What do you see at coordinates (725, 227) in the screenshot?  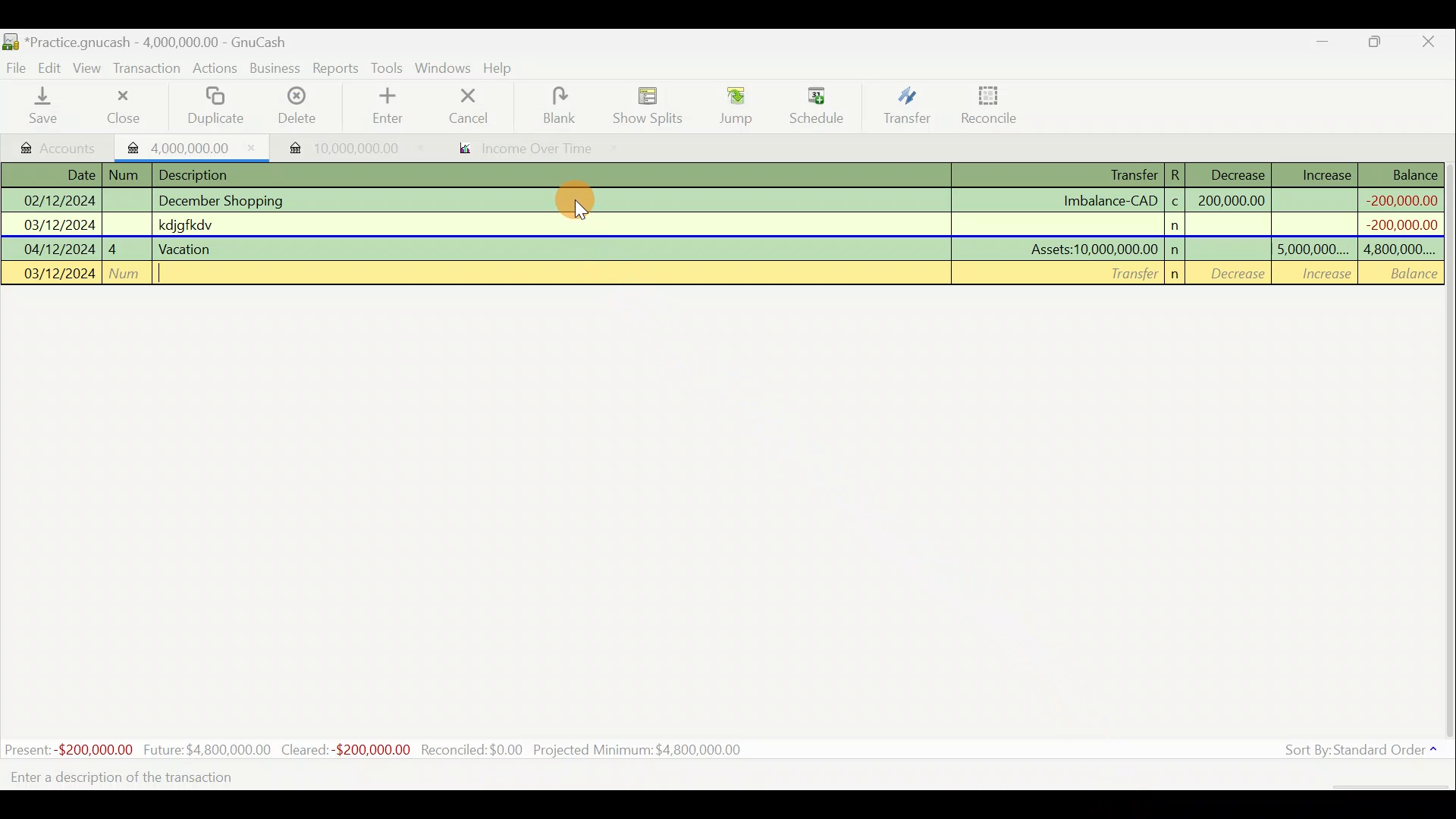 I see `Lines of transactions` at bounding box center [725, 227].